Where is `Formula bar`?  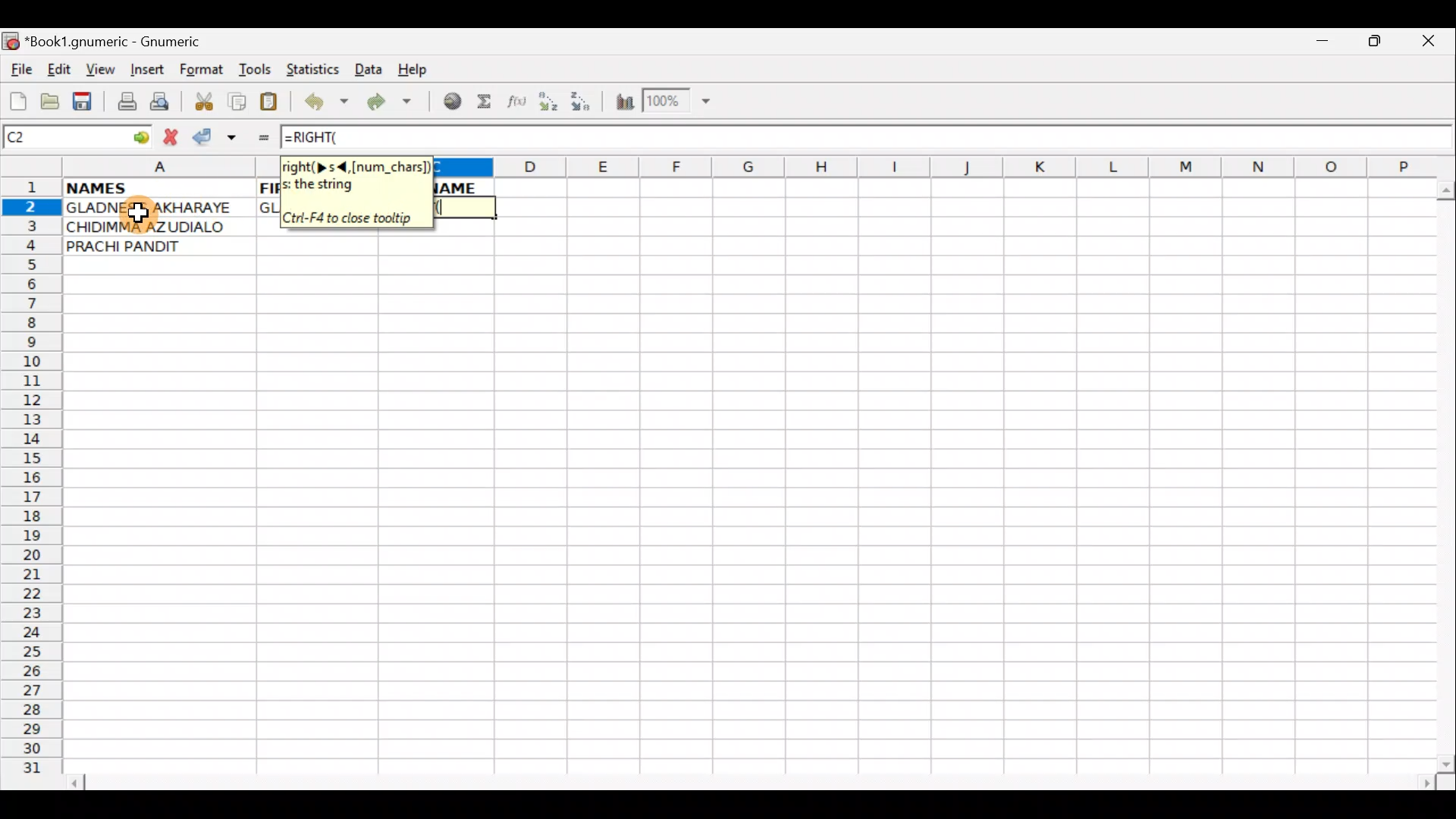 Formula bar is located at coordinates (921, 136).